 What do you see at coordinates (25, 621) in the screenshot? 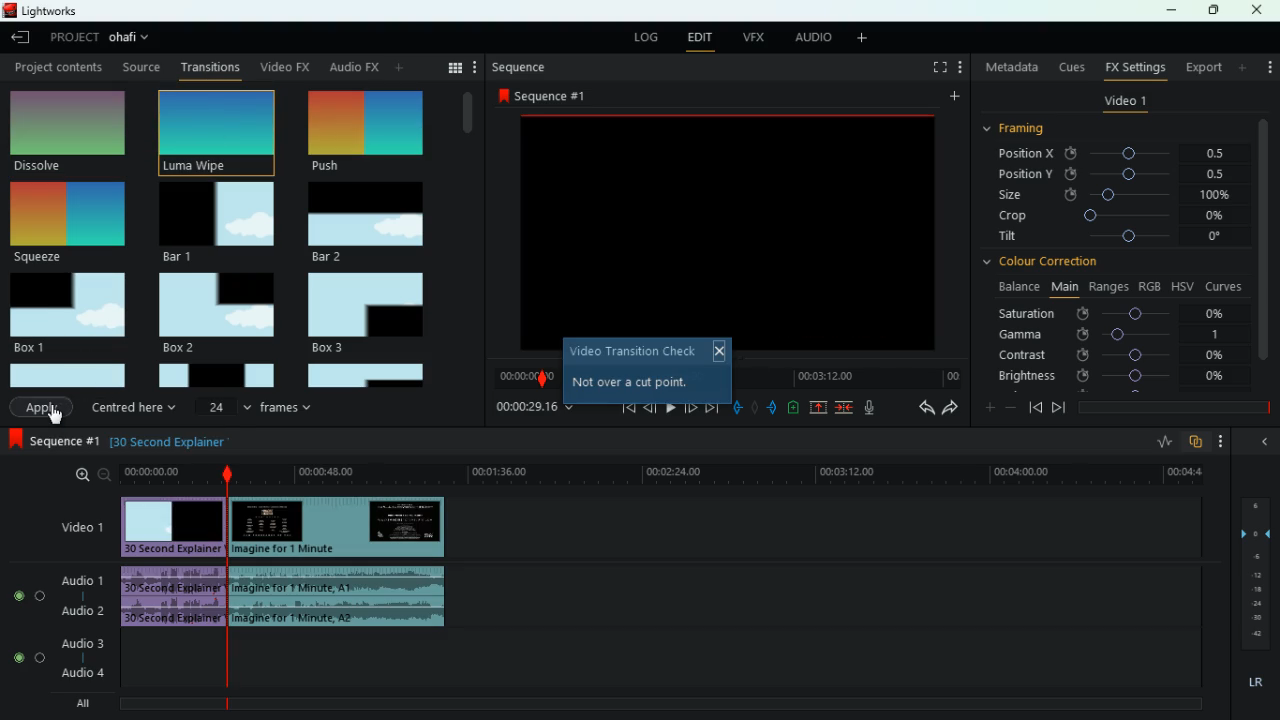
I see `radio button` at bounding box center [25, 621].